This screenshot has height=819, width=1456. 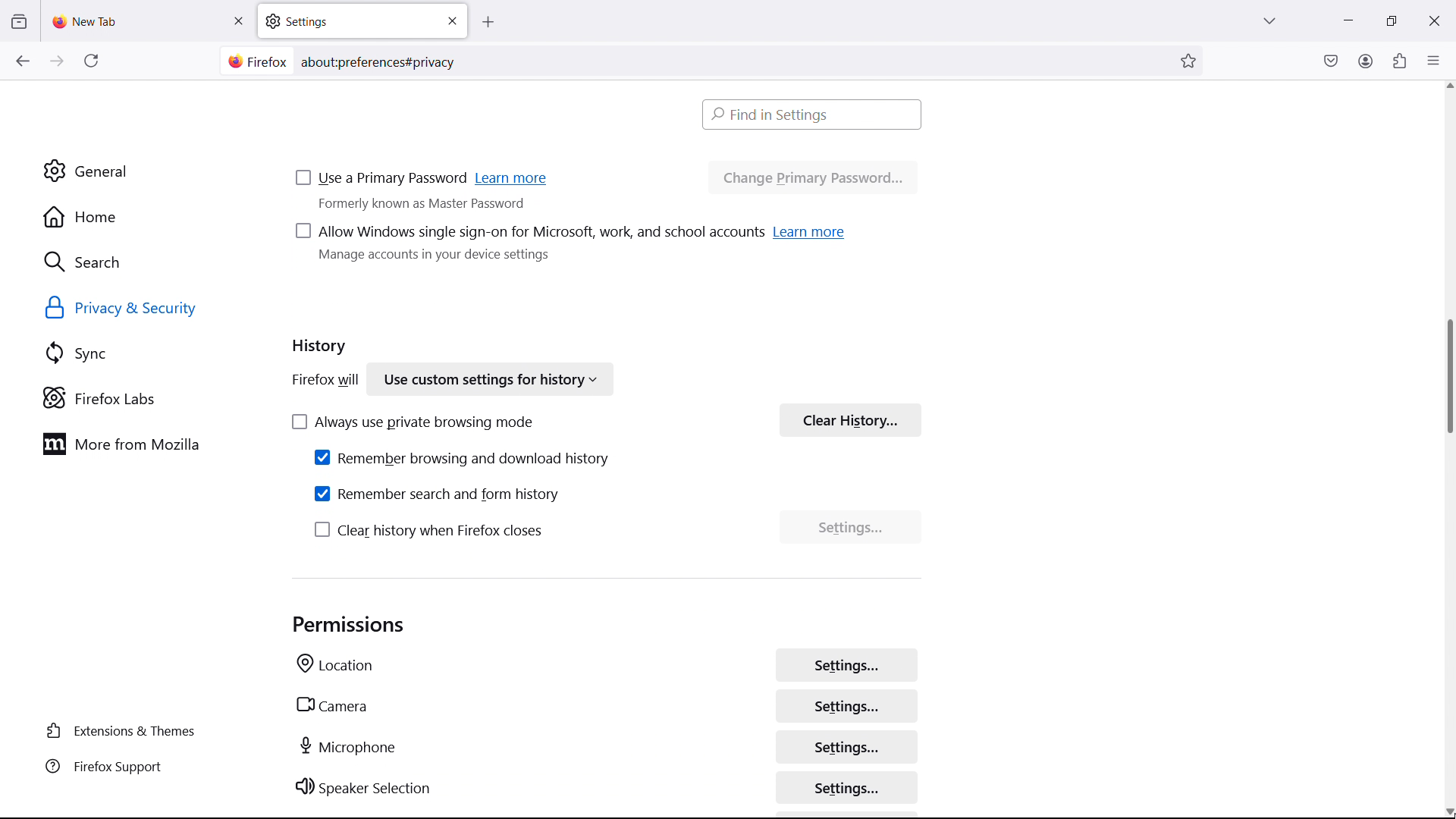 What do you see at coordinates (238, 21) in the screenshot?
I see `close tab` at bounding box center [238, 21].